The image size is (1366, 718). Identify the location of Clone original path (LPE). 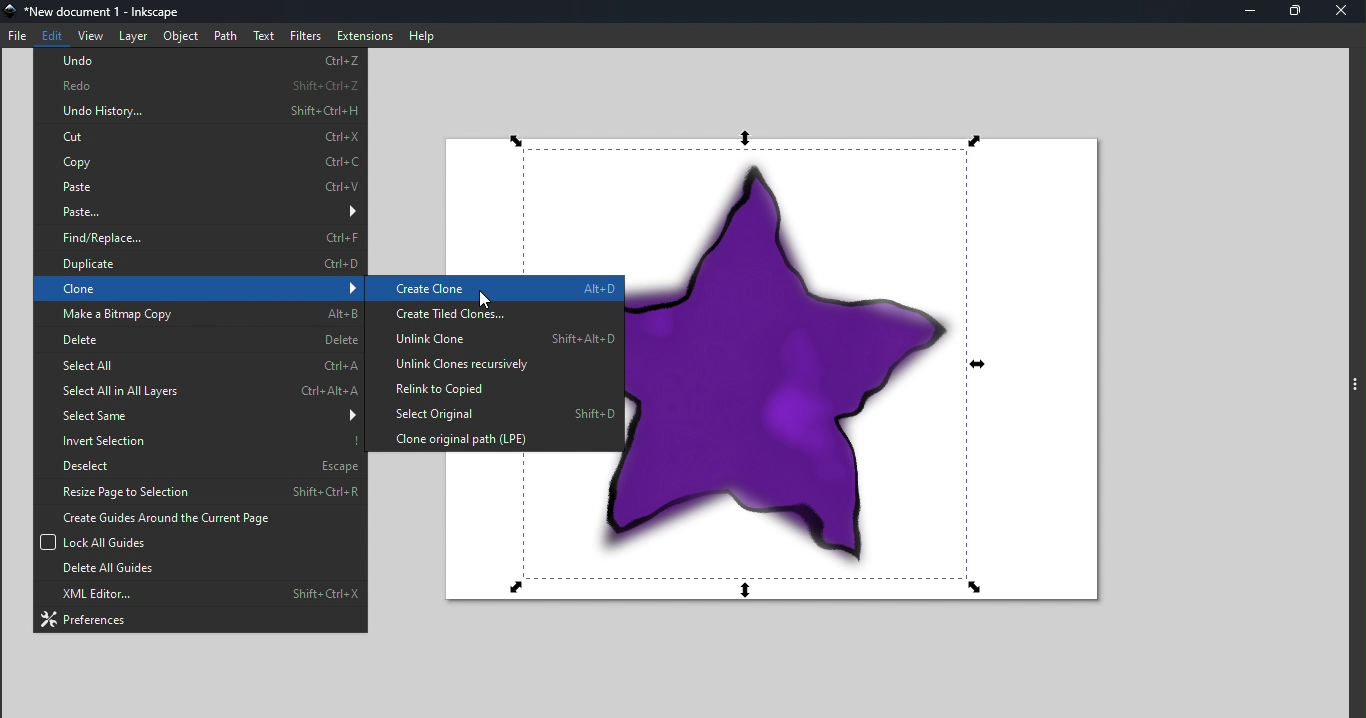
(494, 438).